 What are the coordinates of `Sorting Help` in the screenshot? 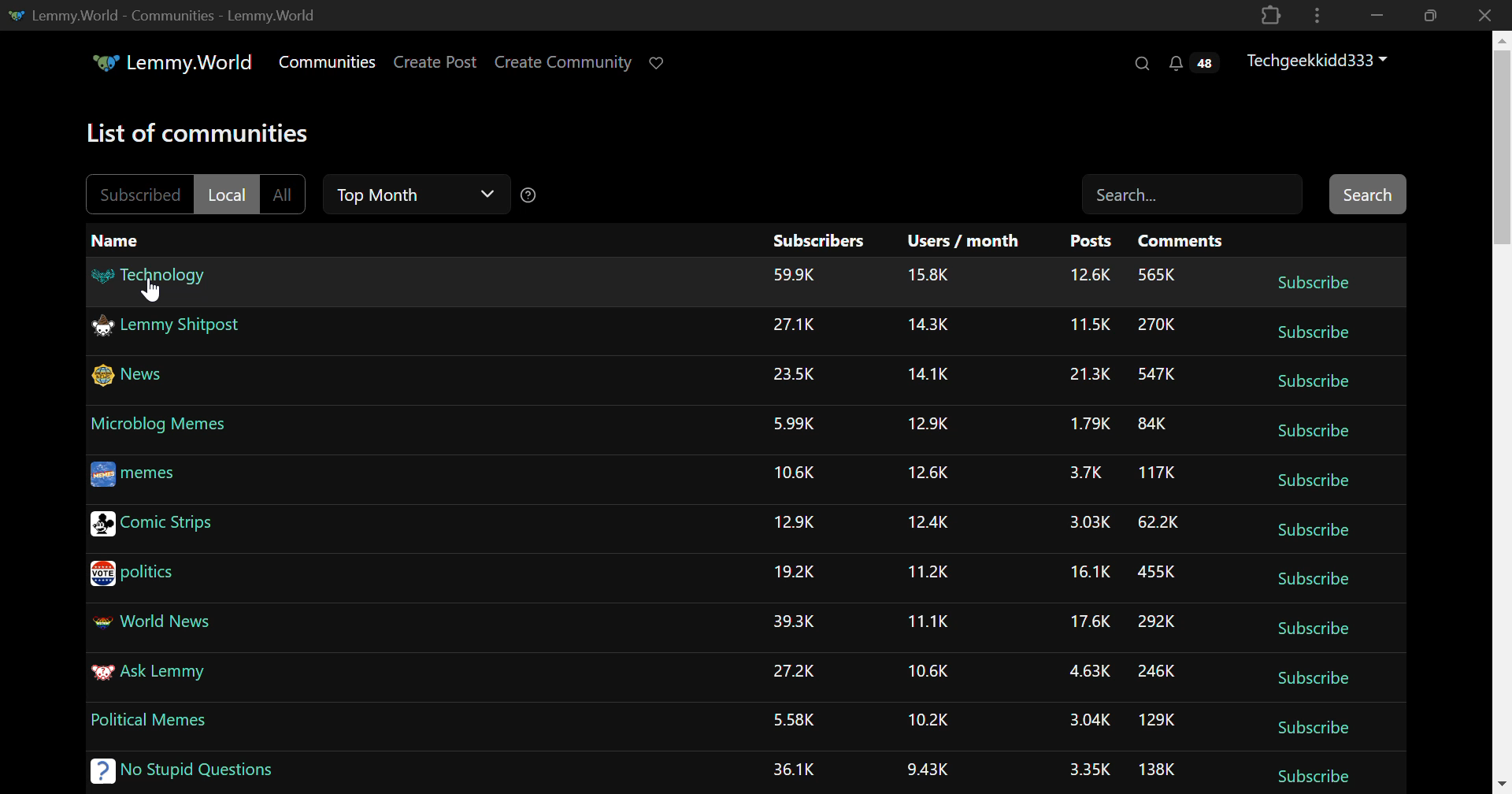 It's located at (528, 195).